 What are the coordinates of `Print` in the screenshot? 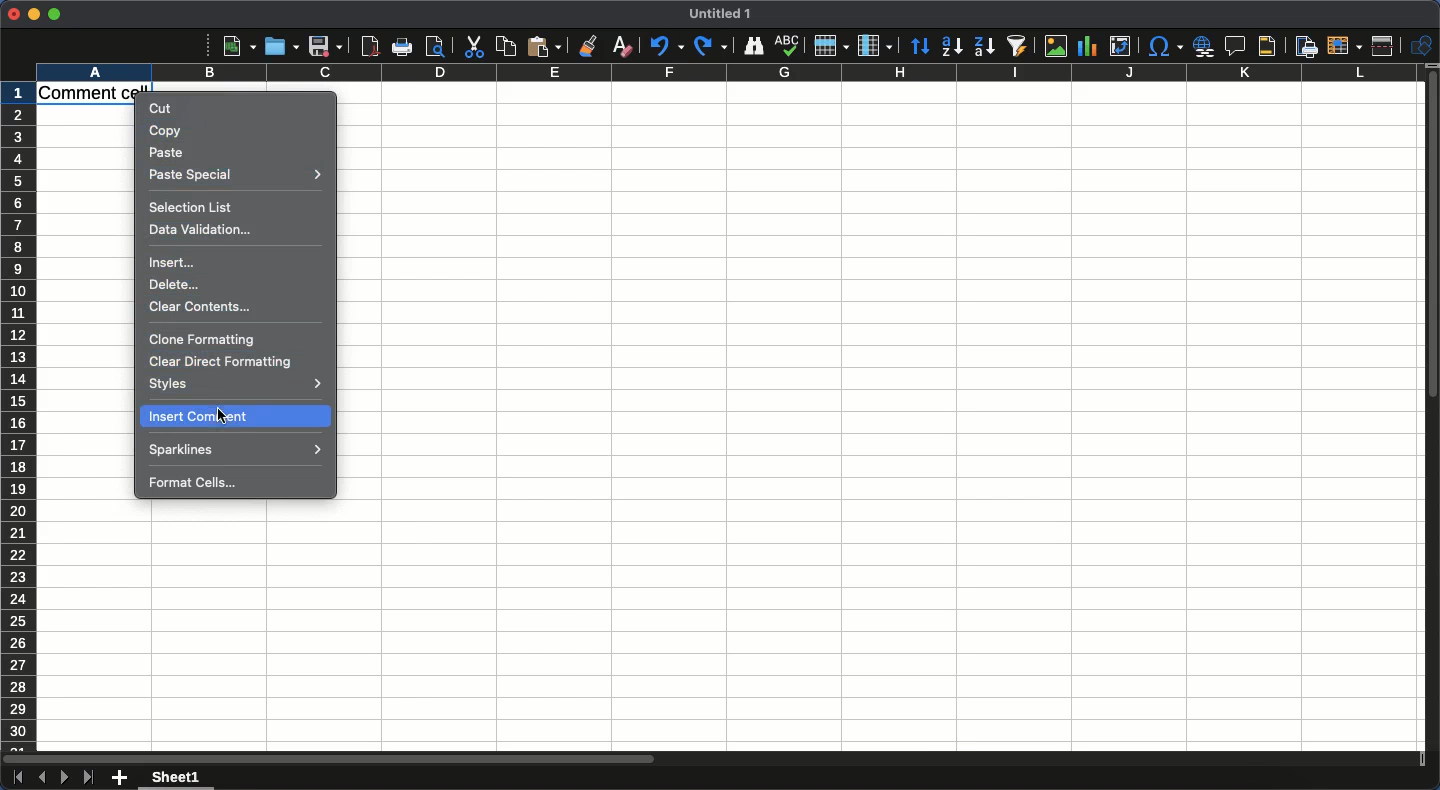 It's located at (402, 46).